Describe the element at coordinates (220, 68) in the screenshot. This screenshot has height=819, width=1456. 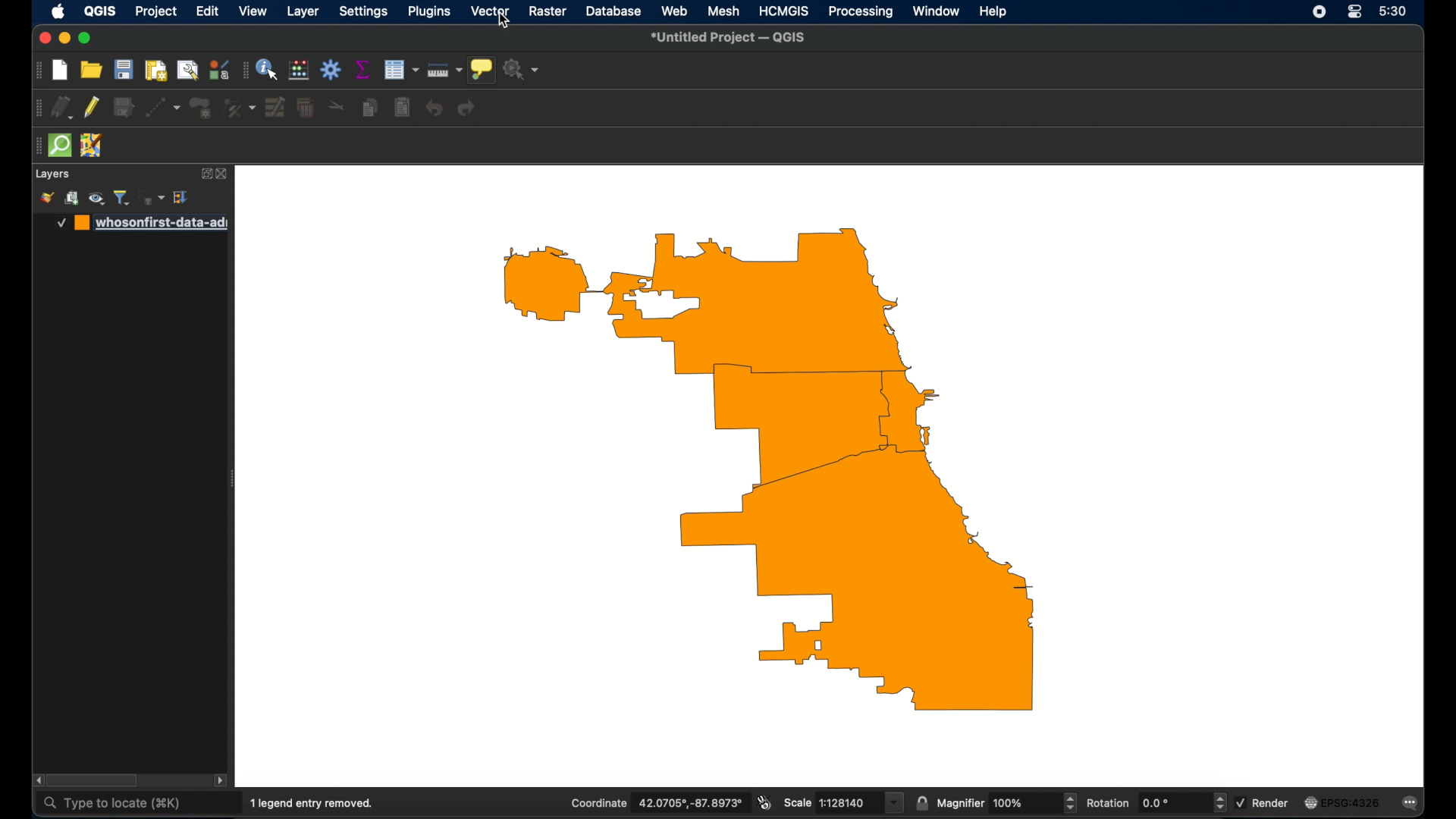
I see `style manager` at that location.